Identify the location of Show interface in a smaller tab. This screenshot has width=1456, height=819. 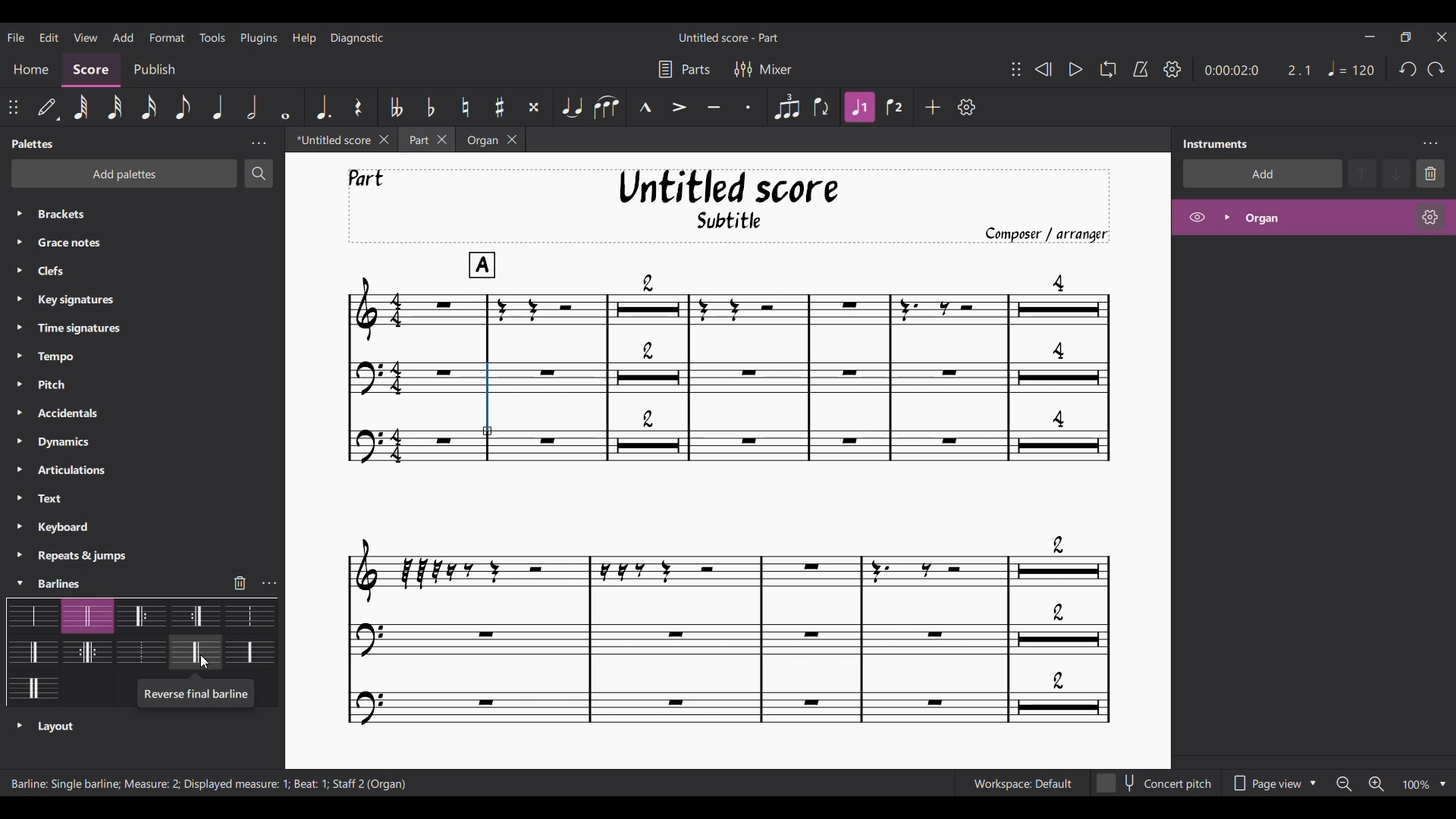
(1406, 36).